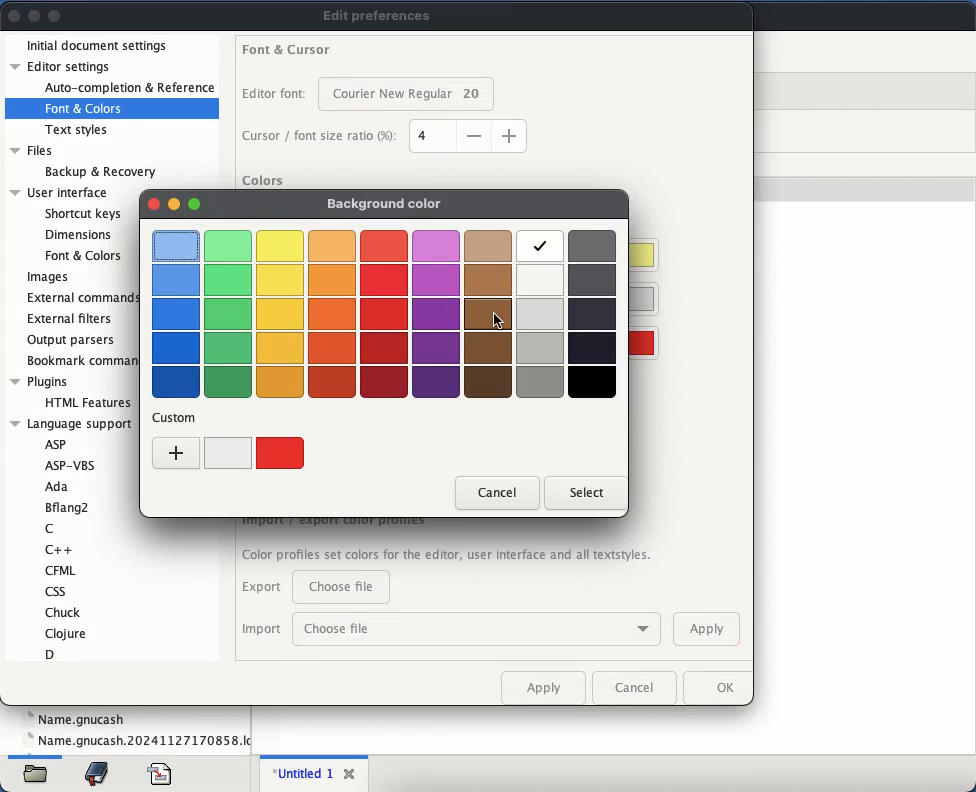  Describe the element at coordinates (34, 15) in the screenshot. I see `minimize` at that location.